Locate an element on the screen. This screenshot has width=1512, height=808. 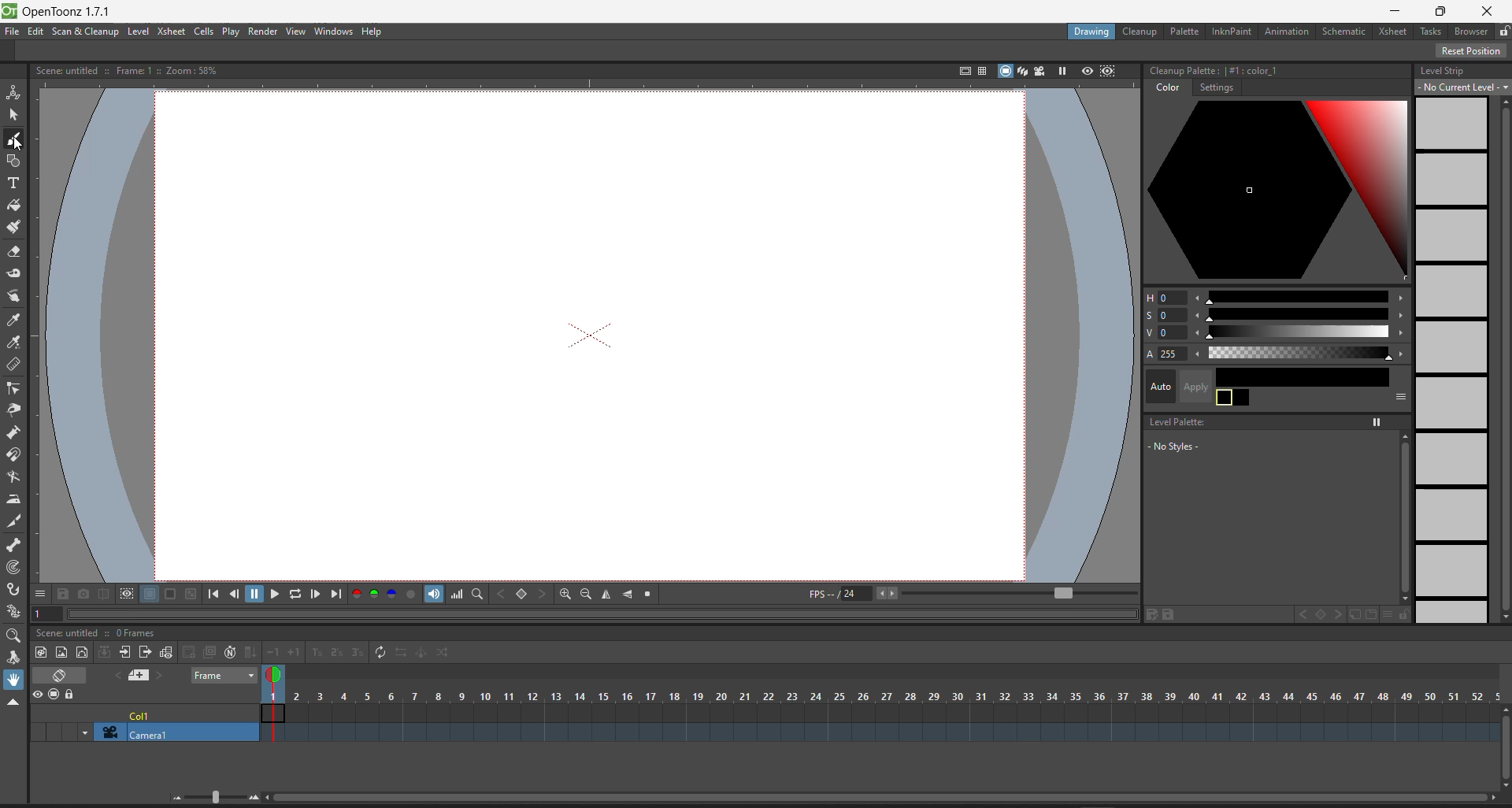
duplicate drawing is located at coordinates (207, 650).